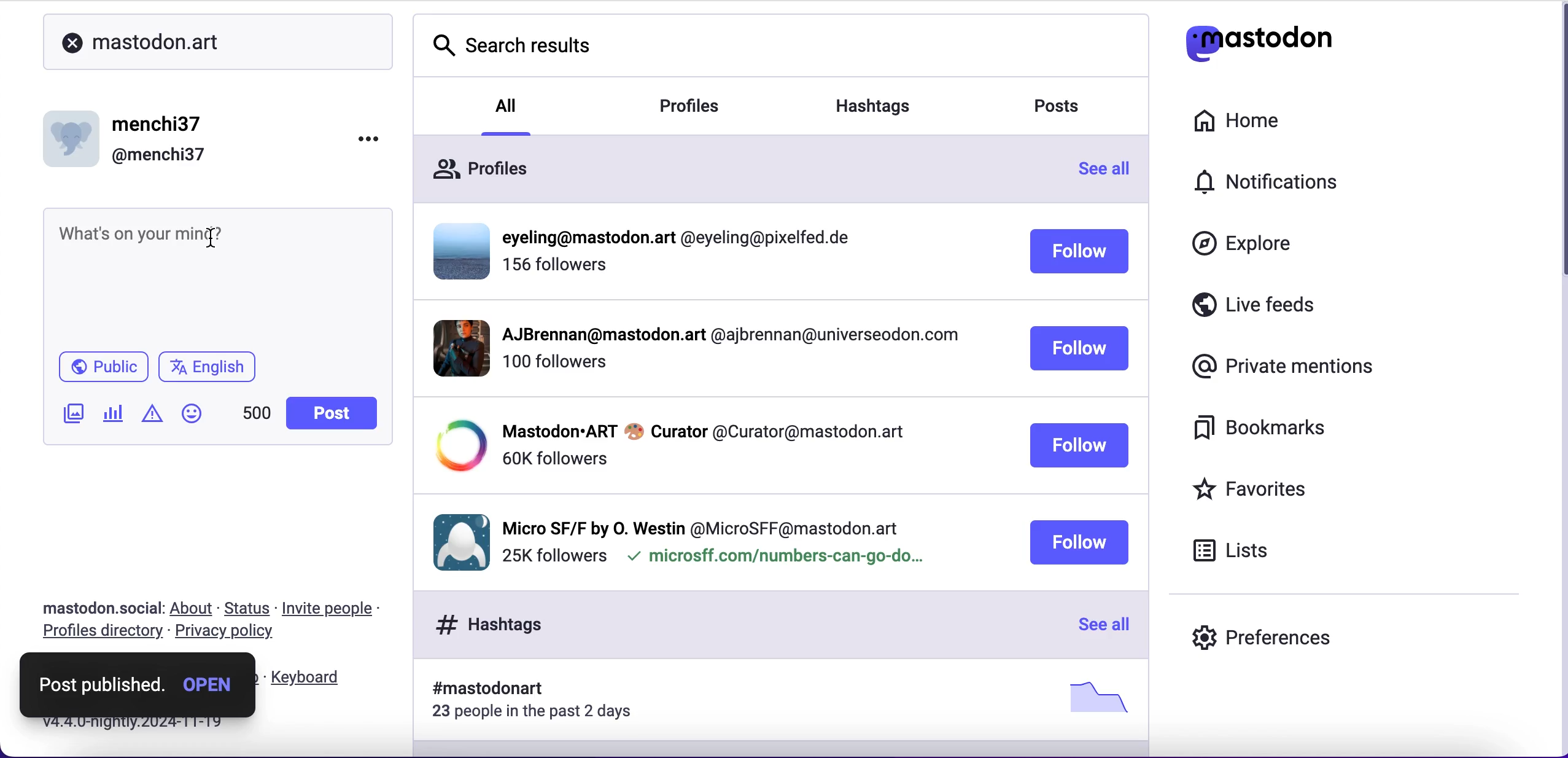  What do you see at coordinates (1068, 109) in the screenshot?
I see `posts` at bounding box center [1068, 109].